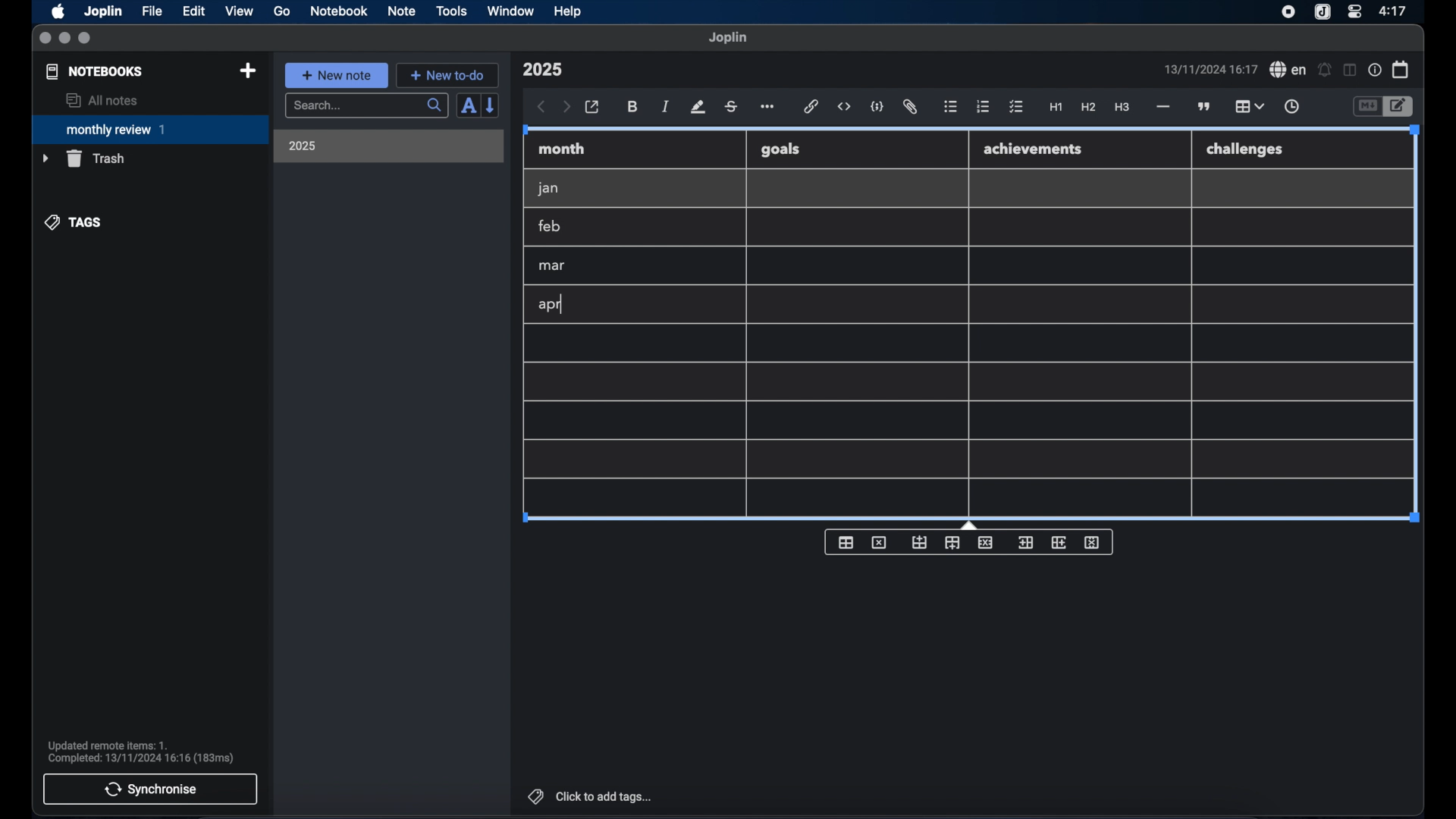 The height and width of the screenshot is (819, 1456). What do you see at coordinates (74, 222) in the screenshot?
I see `tags` at bounding box center [74, 222].